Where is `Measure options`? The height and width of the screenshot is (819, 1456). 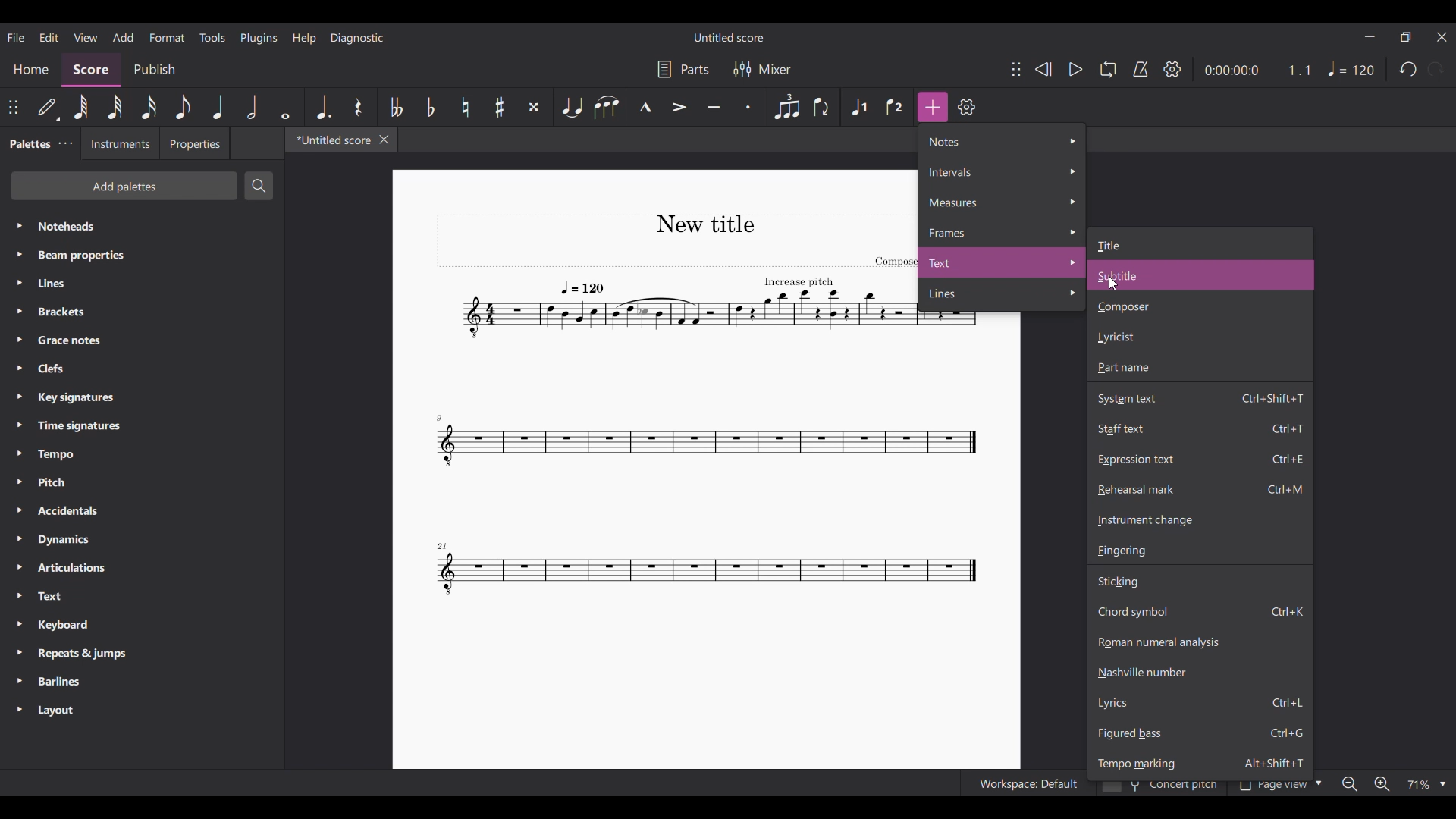
Measure options is located at coordinates (1002, 202).